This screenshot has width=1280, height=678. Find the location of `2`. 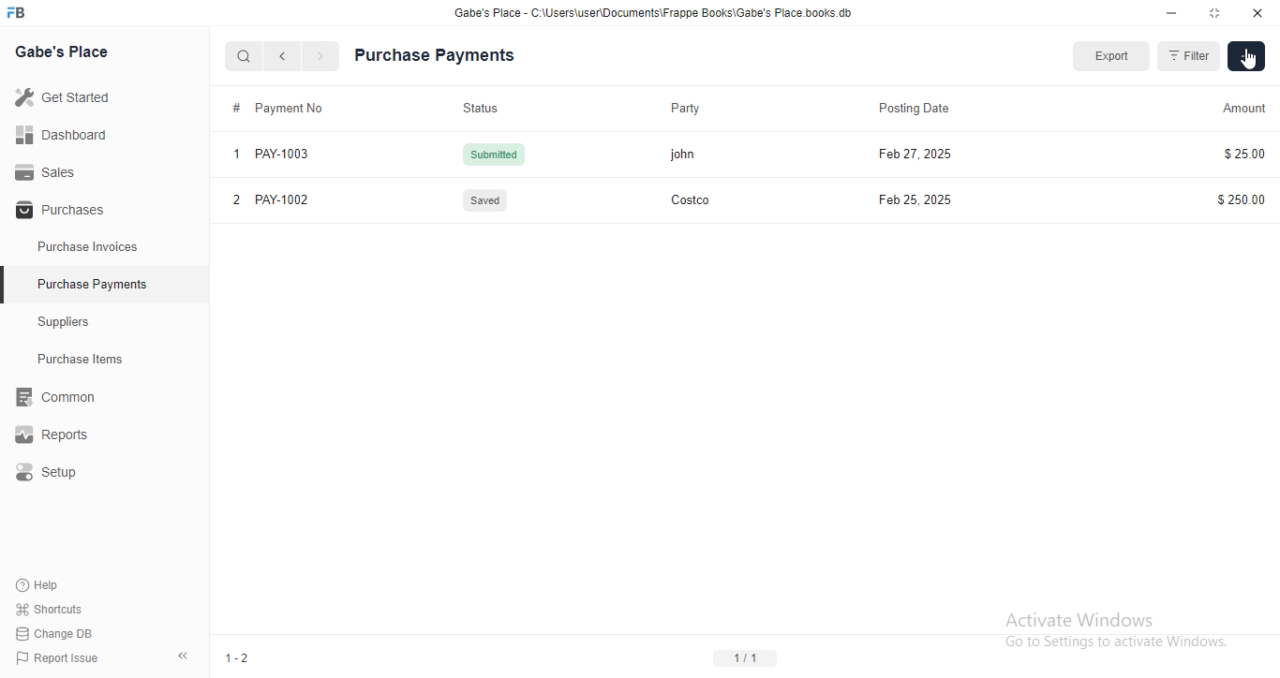

2 is located at coordinates (237, 199).